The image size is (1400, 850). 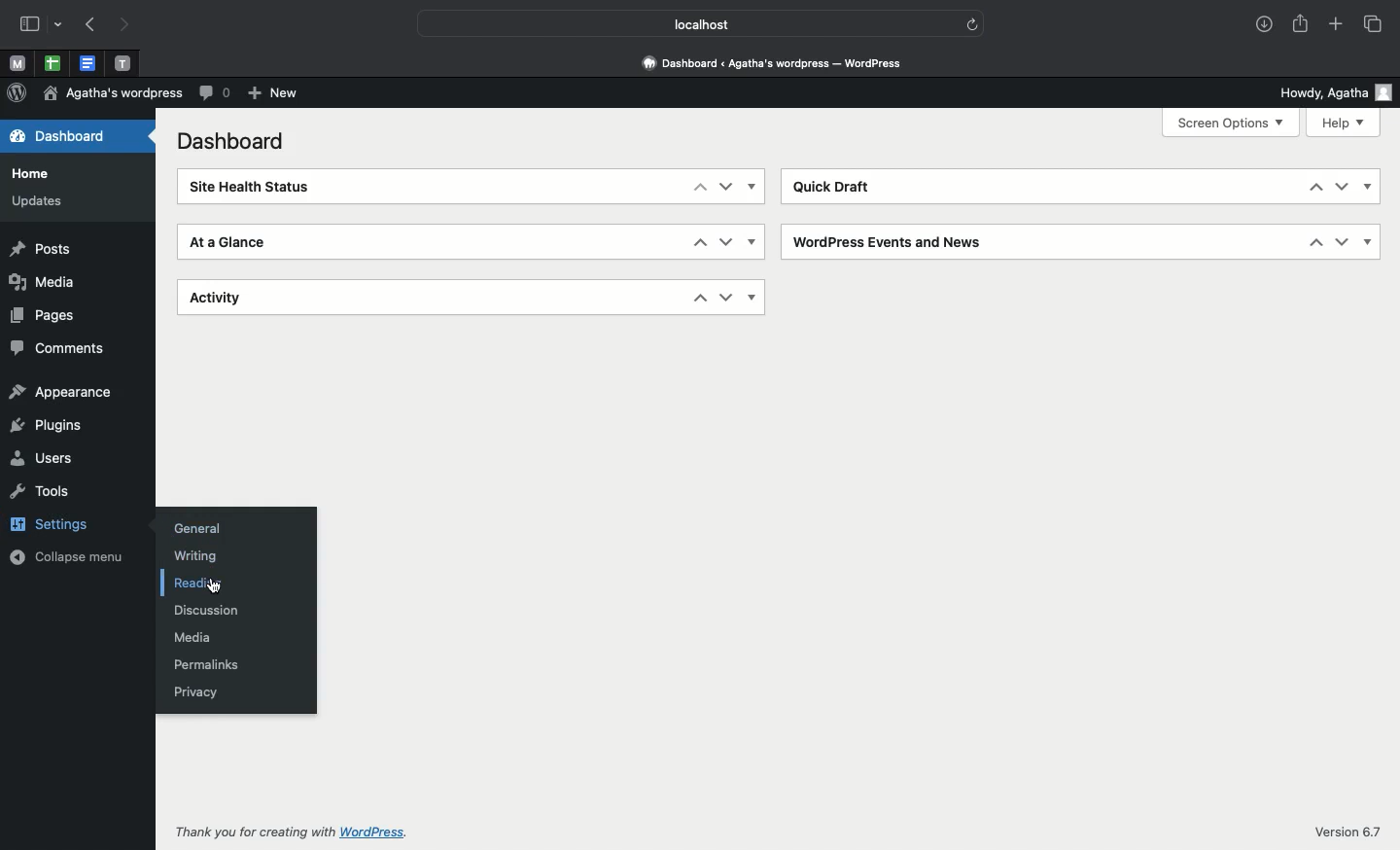 What do you see at coordinates (1351, 832) in the screenshot?
I see `Version 6.7` at bounding box center [1351, 832].